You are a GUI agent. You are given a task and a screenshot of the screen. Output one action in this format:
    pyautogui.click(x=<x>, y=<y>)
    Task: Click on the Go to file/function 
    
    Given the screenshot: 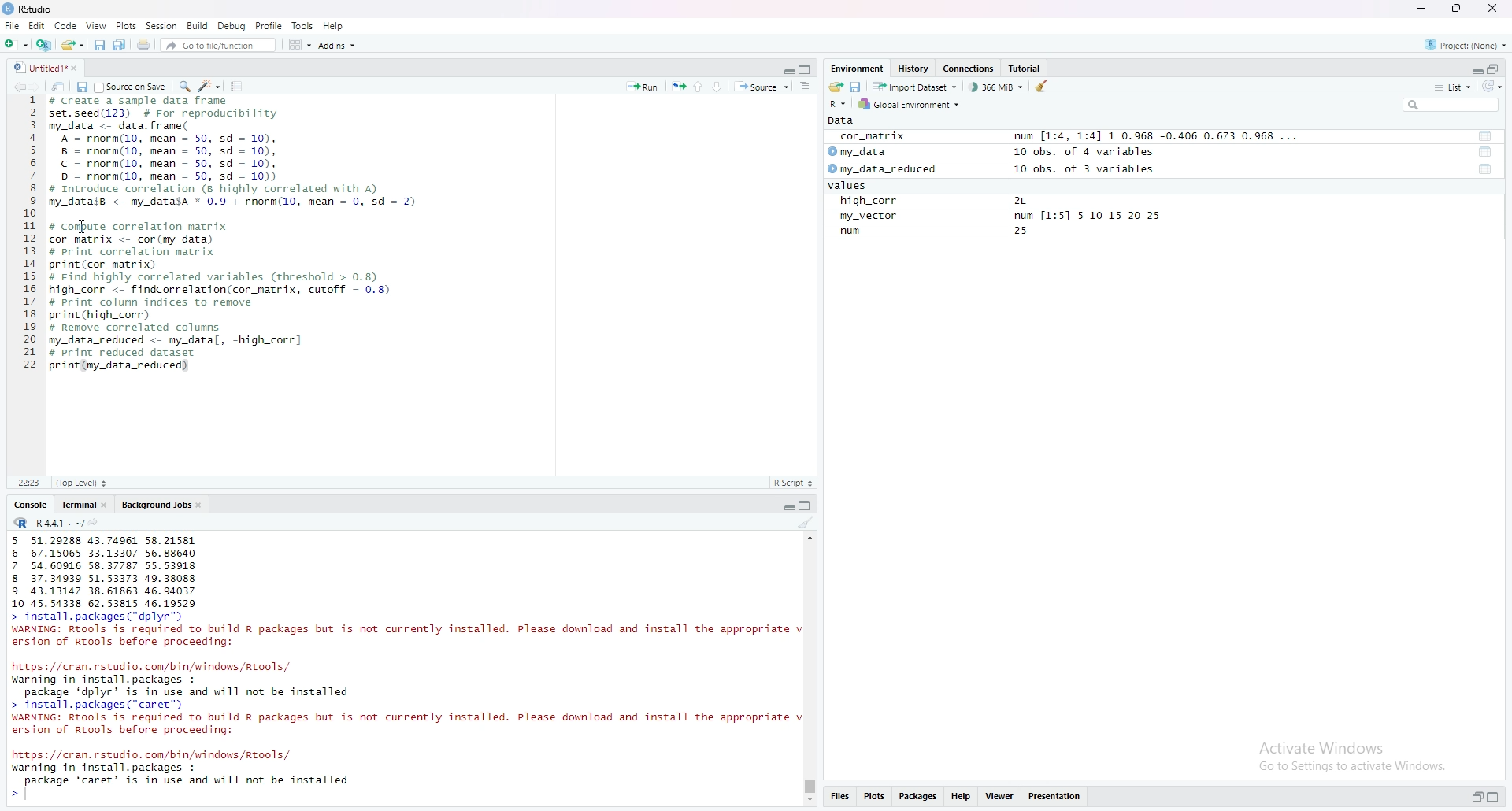 What is the action you would take?
    pyautogui.click(x=221, y=46)
    